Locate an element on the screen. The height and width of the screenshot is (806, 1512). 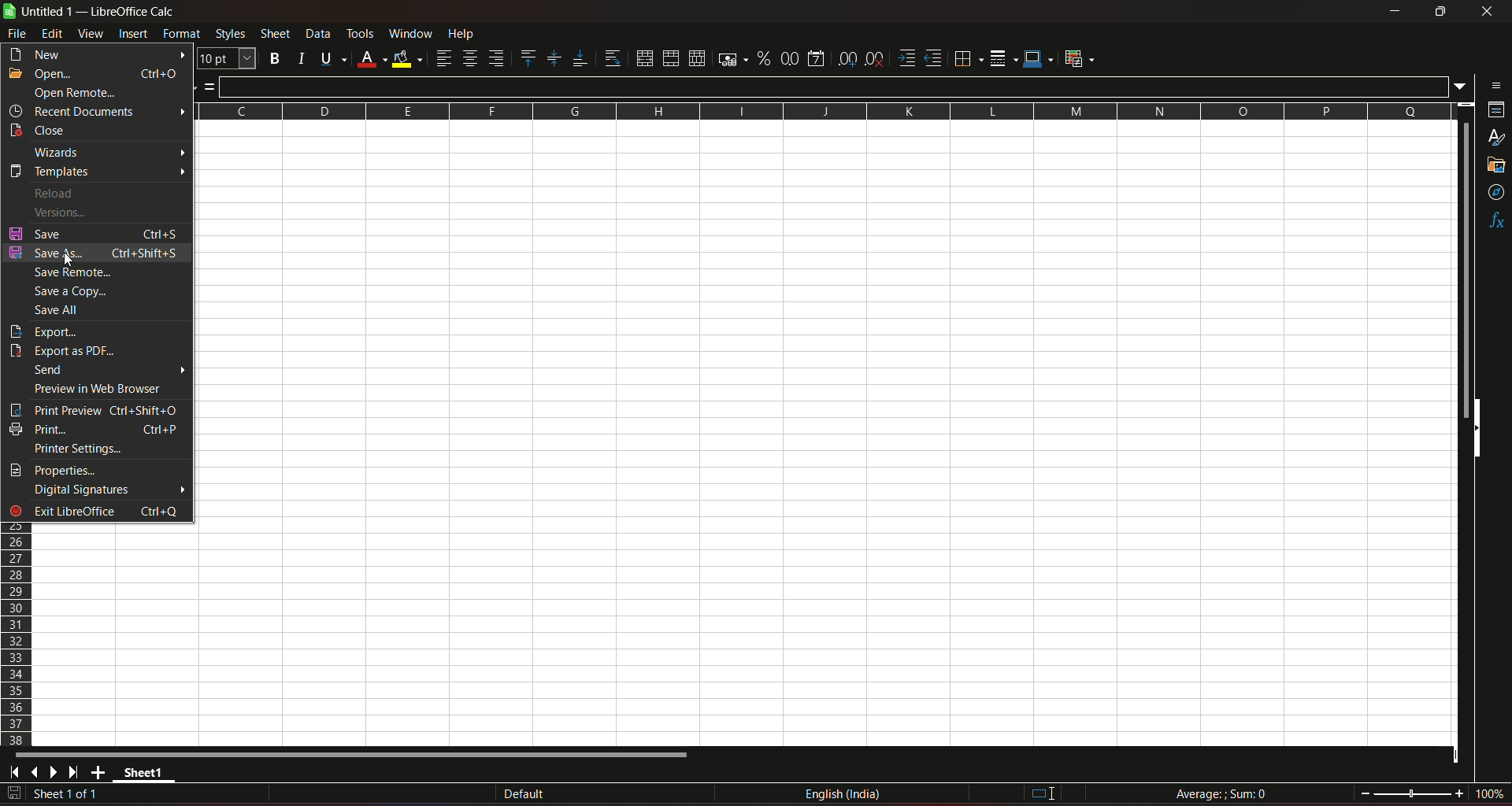
Font color is located at coordinates (370, 57).